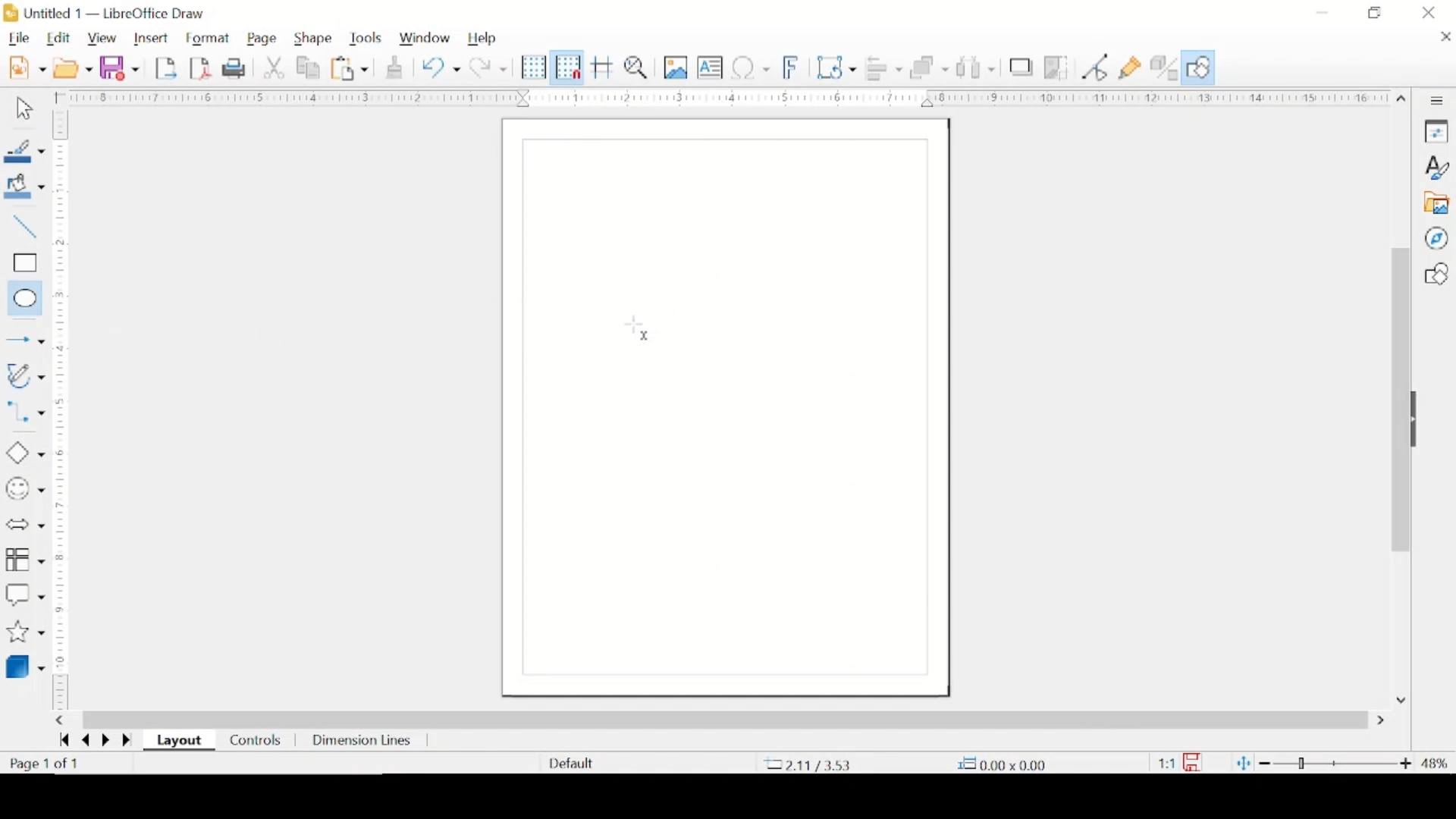  I want to click on toggle point edit mode , so click(1096, 67).